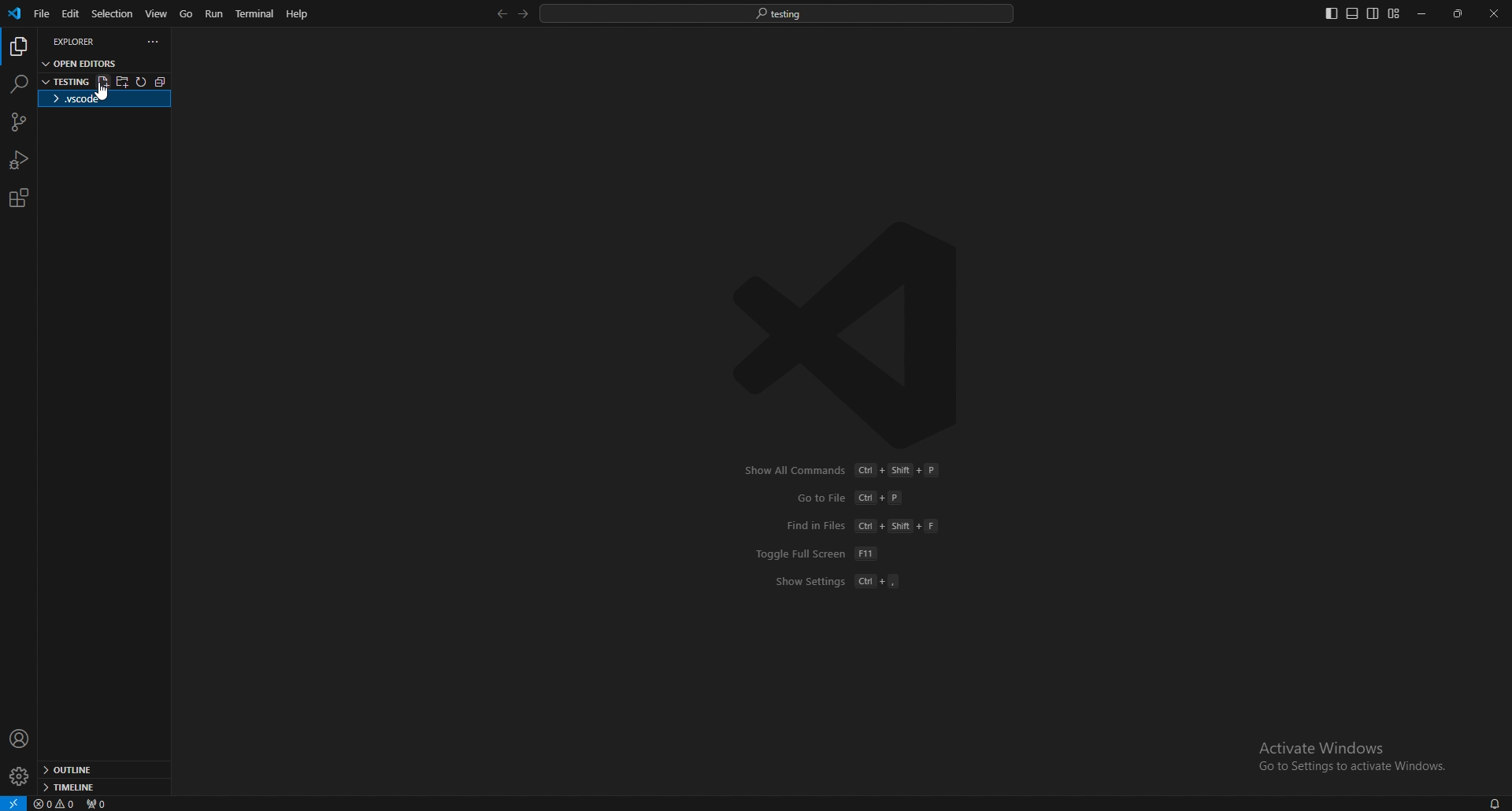 The image size is (1512, 811). Describe the element at coordinates (1362, 13) in the screenshot. I see `editor layouts` at that location.